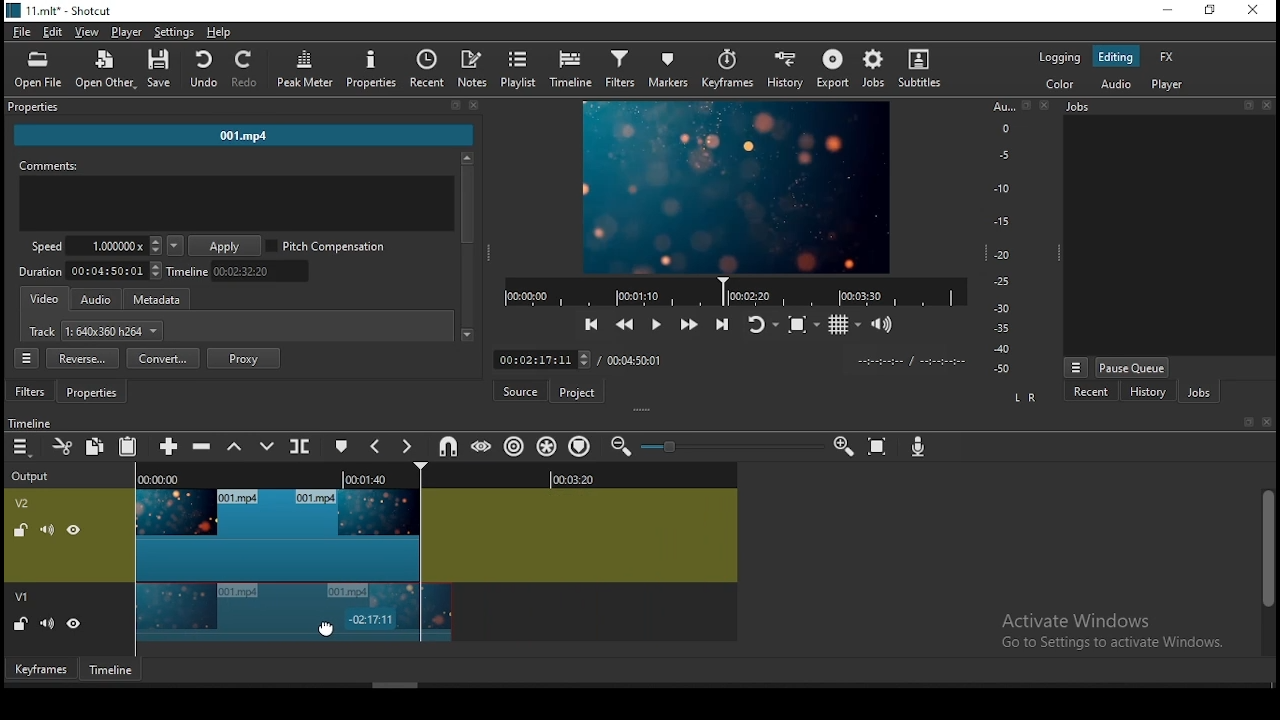  What do you see at coordinates (227, 247) in the screenshot?
I see `apply` at bounding box center [227, 247].